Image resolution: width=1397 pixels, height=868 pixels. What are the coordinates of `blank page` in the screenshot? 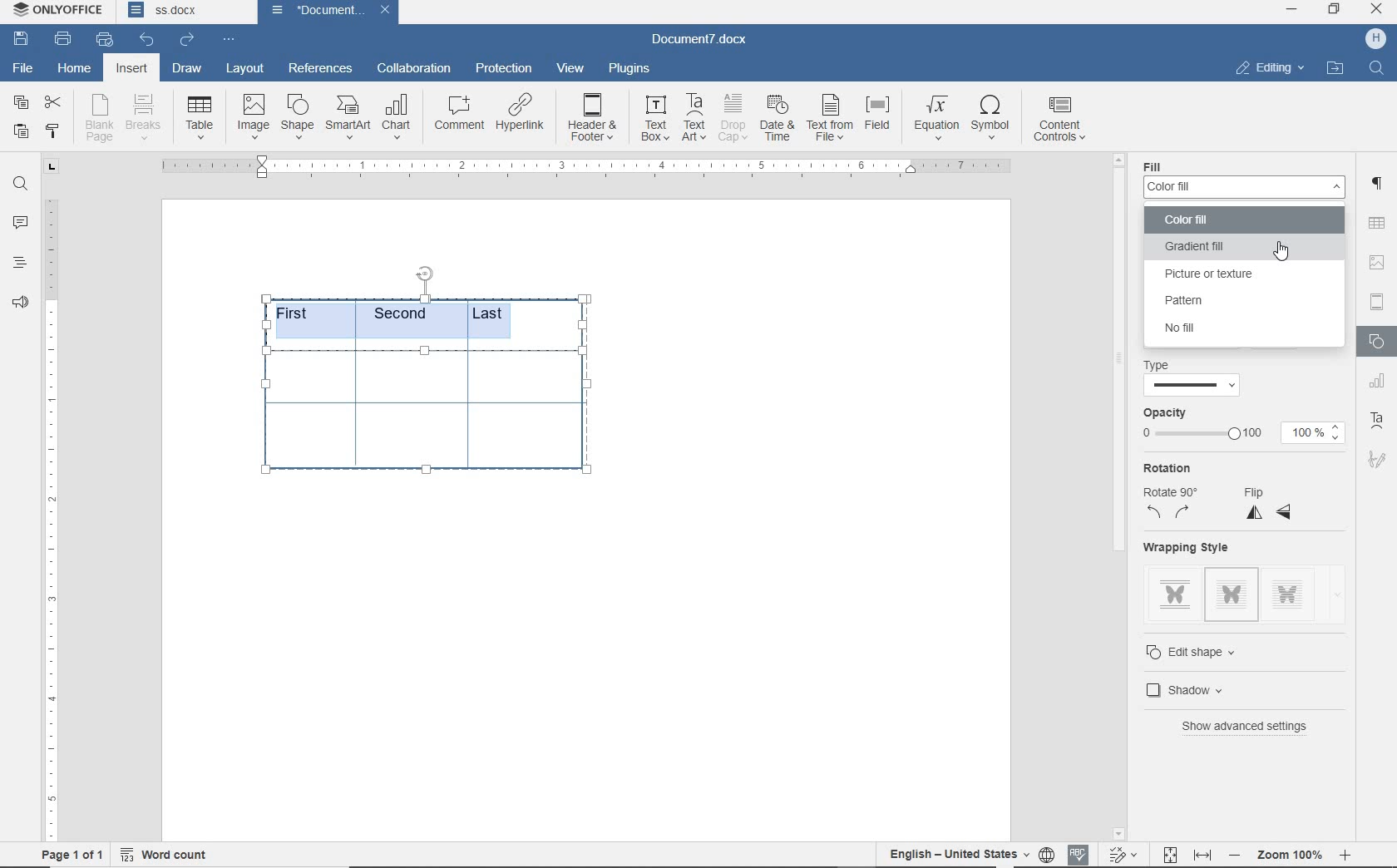 It's located at (100, 121).